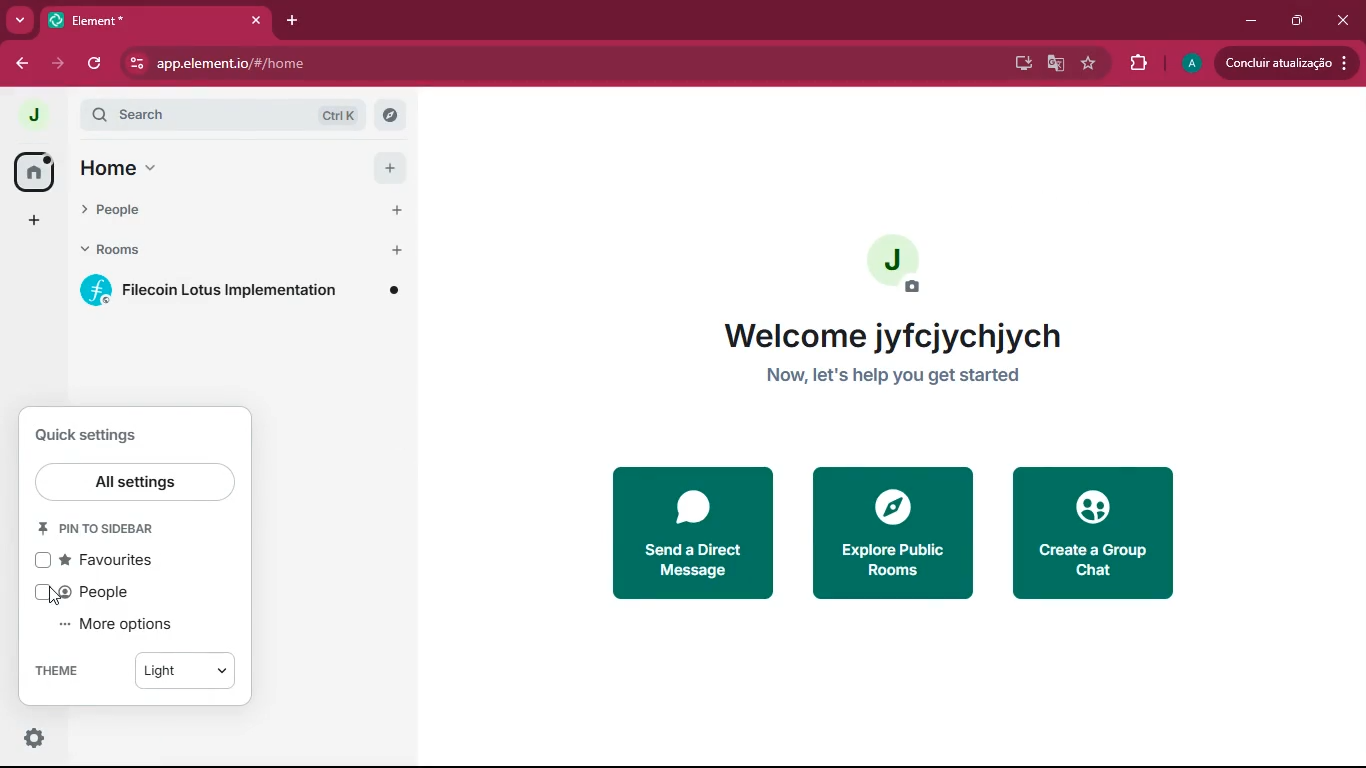 This screenshot has height=768, width=1366. Describe the element at coordinates (103, 595) in the screenshot. I see `people` at that location.